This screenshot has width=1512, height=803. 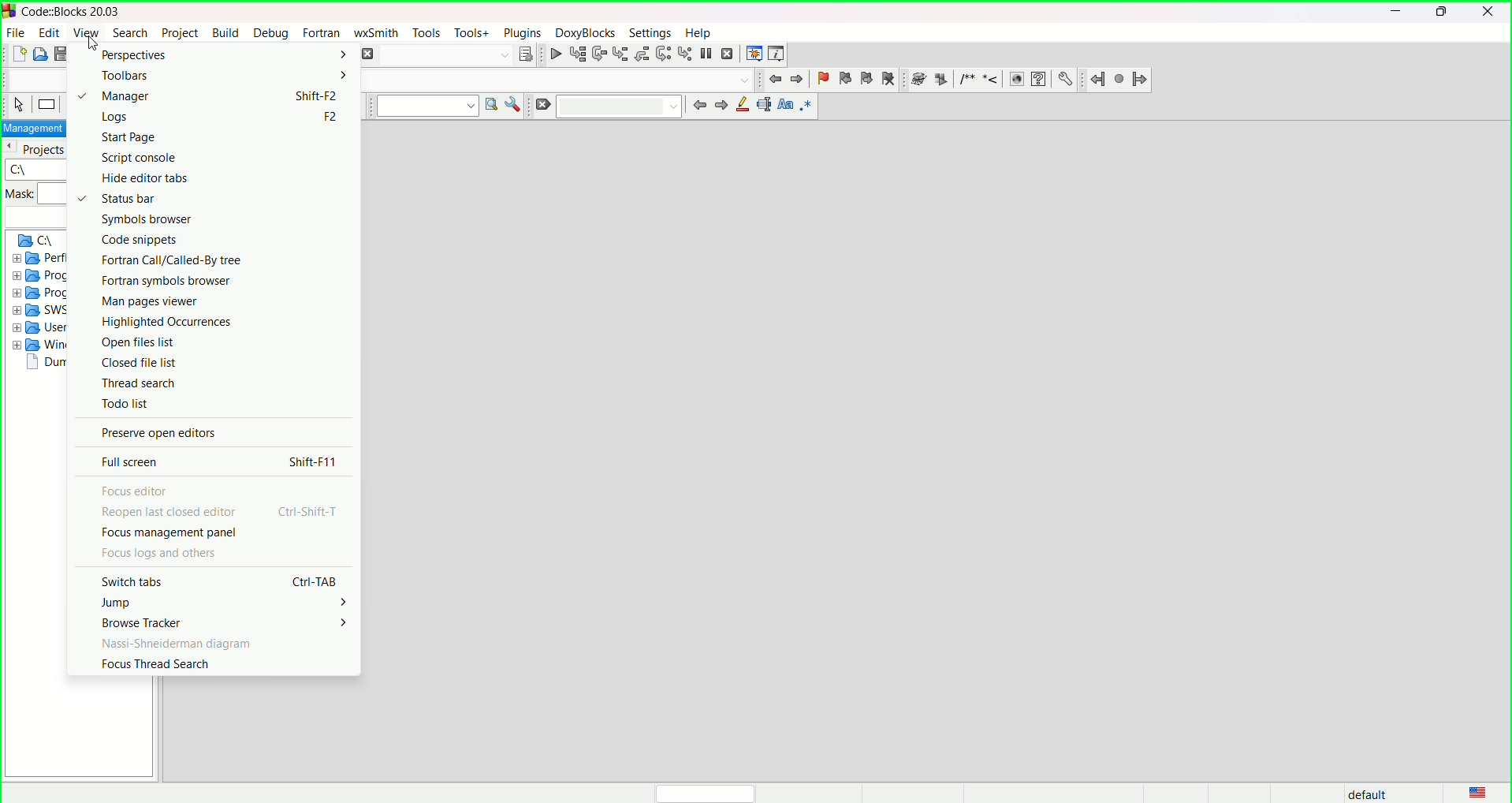 What do you see at coordinates (132, 56) in the screenshot?
I see `perspectives` at bounding box center [132, 56].